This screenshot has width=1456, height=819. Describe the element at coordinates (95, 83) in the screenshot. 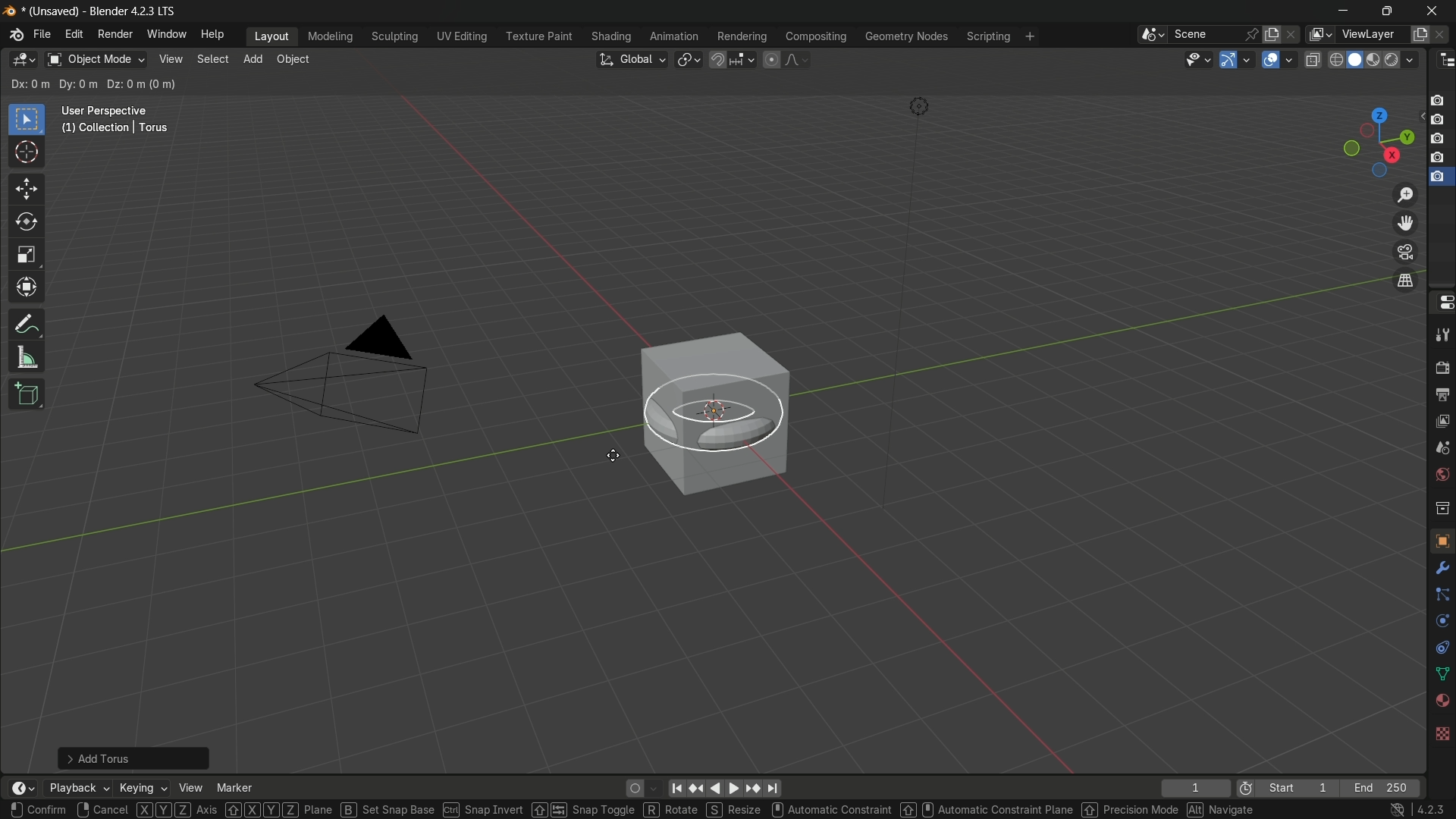

I see `Dx:0m Dy:0m Dz:0m (0m)` at that location.